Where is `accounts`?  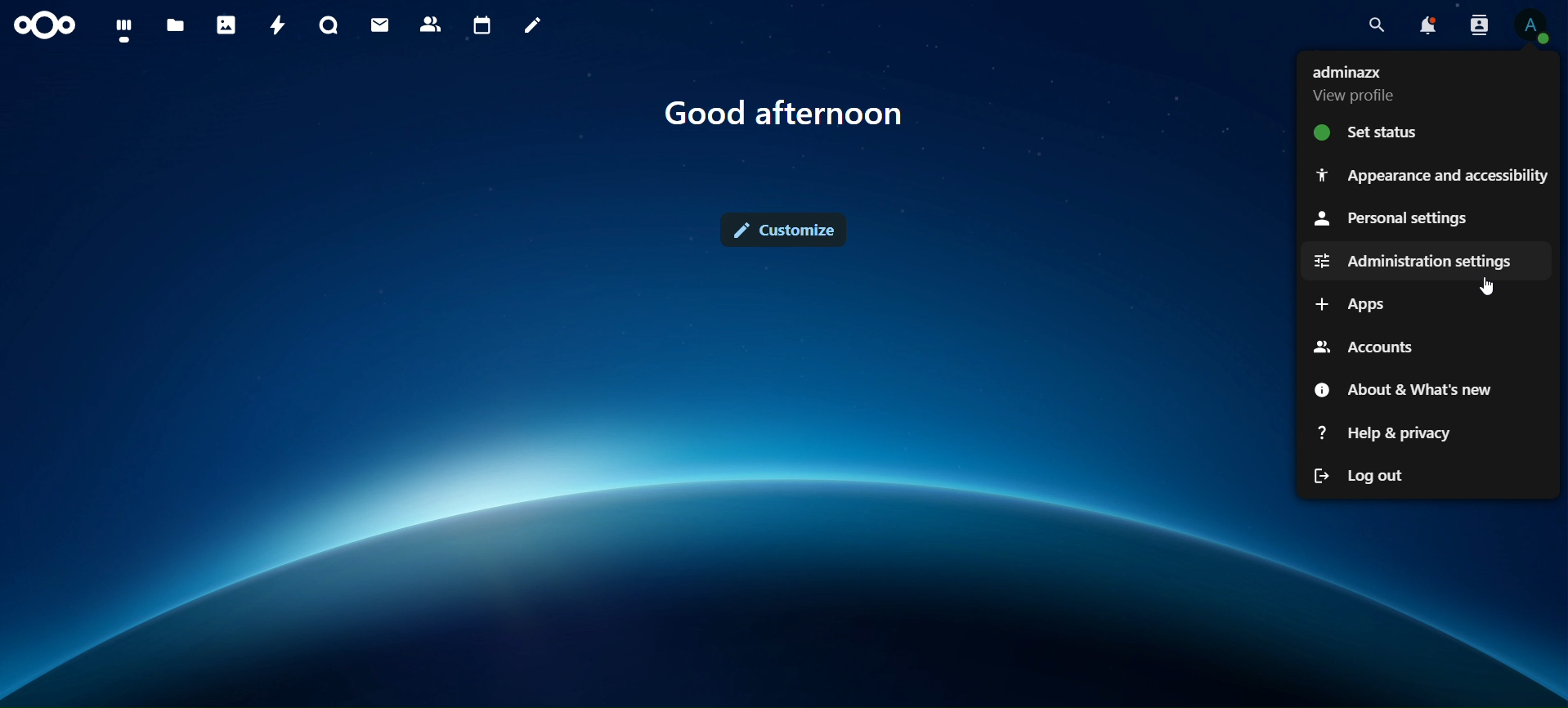 accounts is located at coordinates (1363, 345).